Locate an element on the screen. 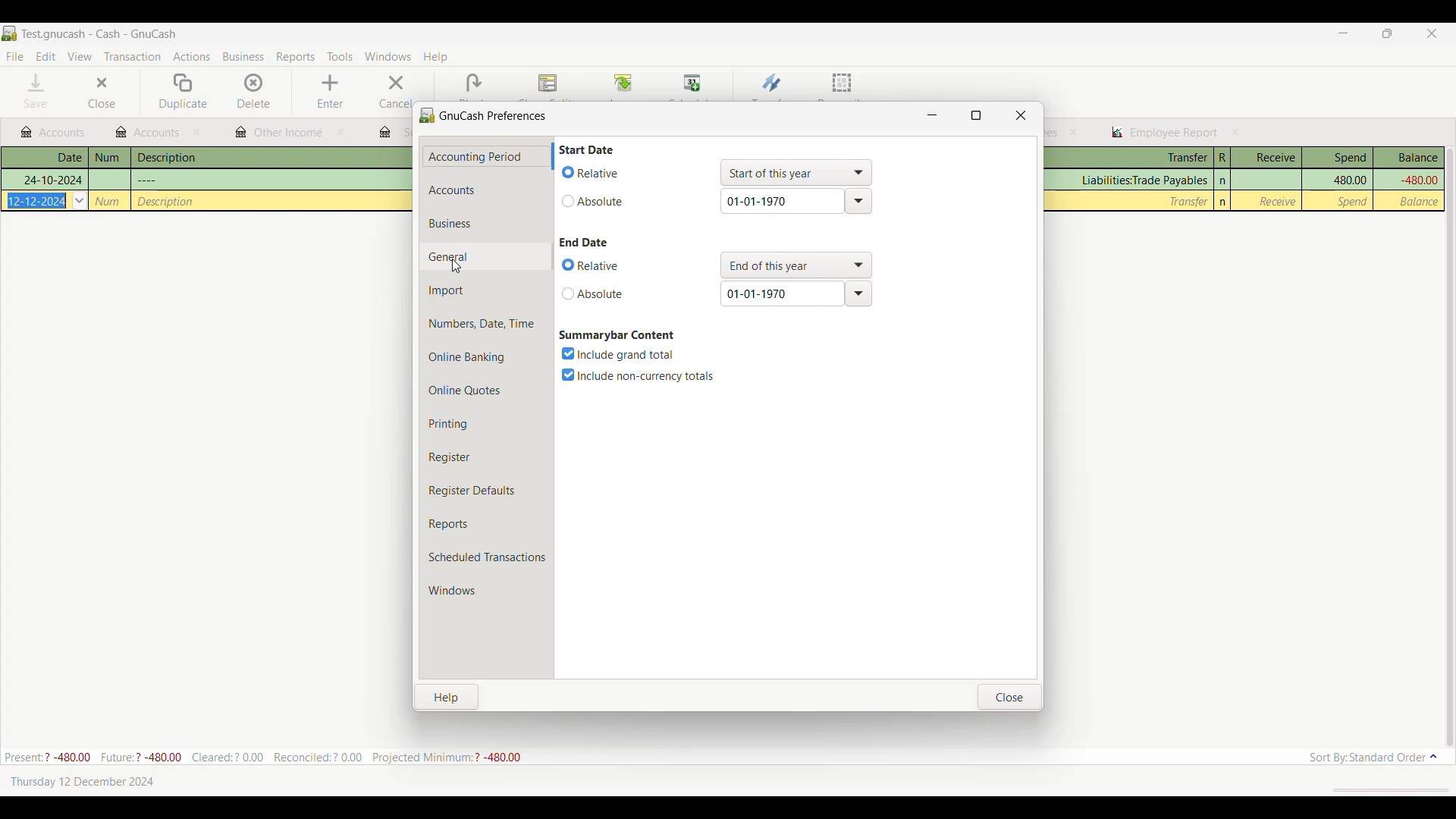 This screenshot has width=1456, height=819. Show splits is located at coordinates (548, 84).